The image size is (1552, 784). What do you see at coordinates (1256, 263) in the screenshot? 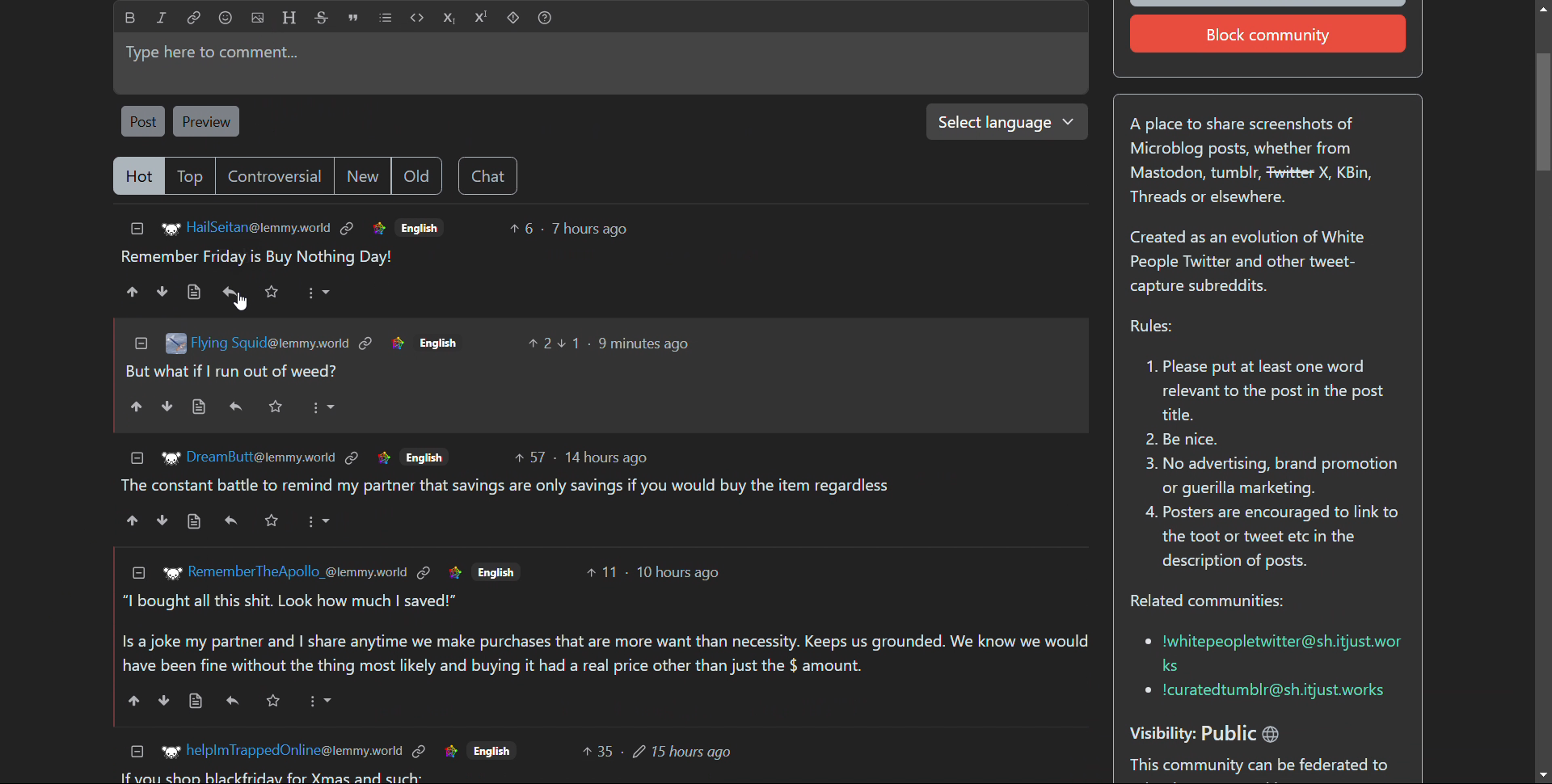
I see `Created as an evolution of White
People Twitter and other tweet-
capture subreddits.` at bounding box center [1256, 263].